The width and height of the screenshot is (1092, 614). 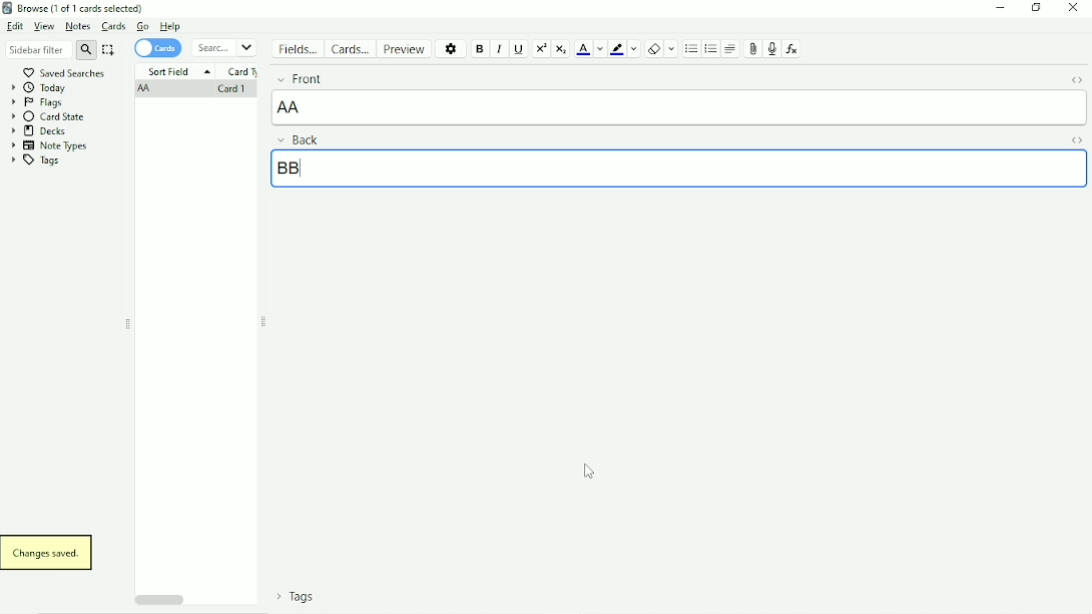 I want to click on Italic, so click(x=500, y=50).